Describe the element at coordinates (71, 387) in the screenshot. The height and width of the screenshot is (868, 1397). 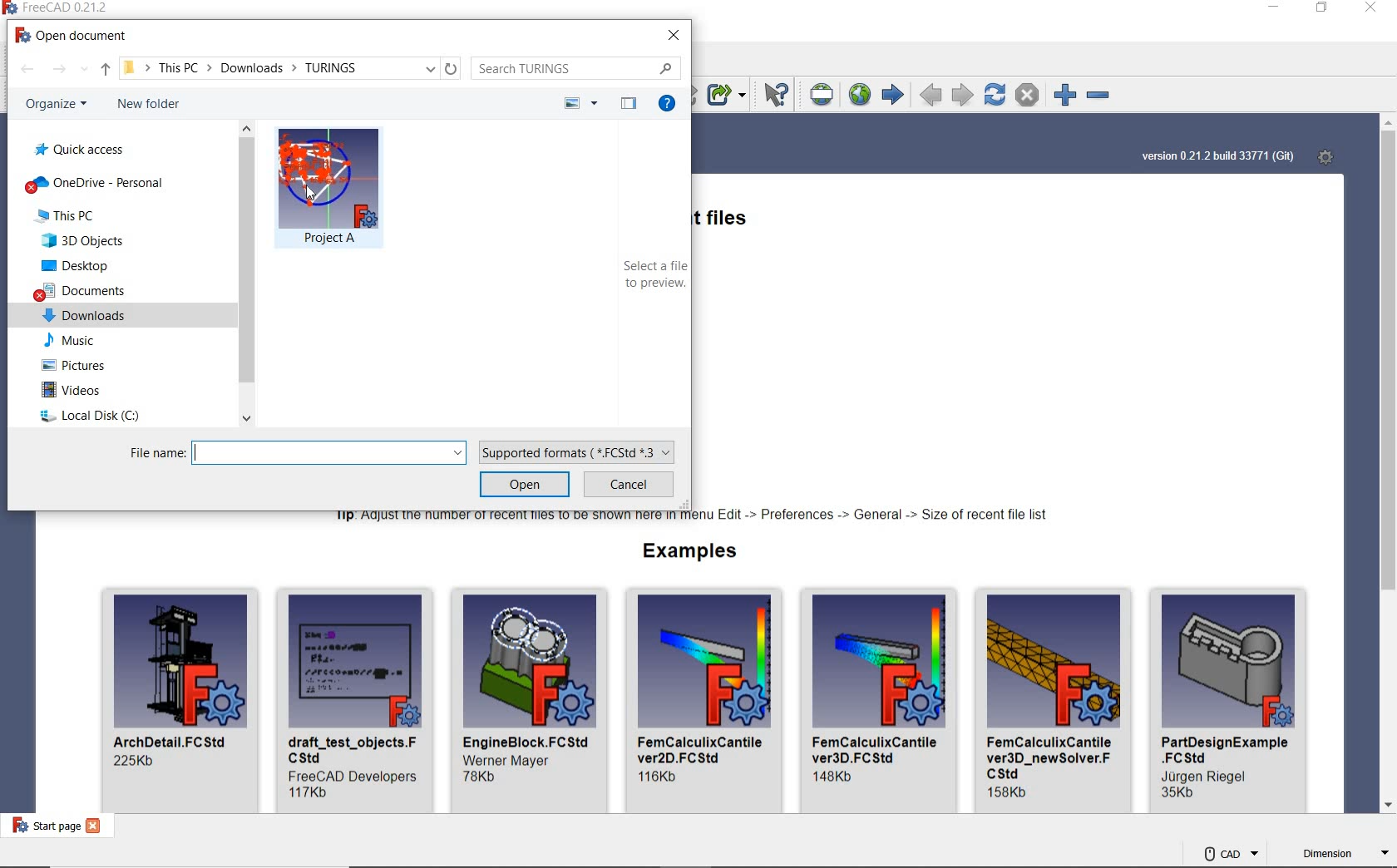
I see `videos` at that location.